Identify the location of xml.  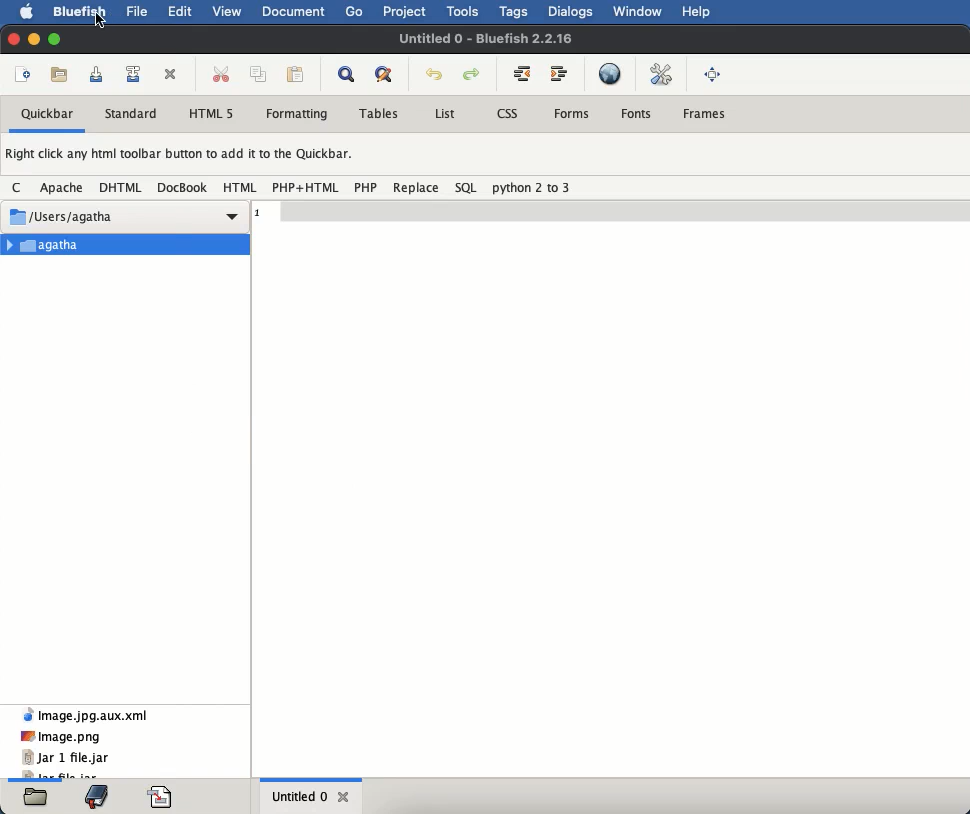
(85, 713).